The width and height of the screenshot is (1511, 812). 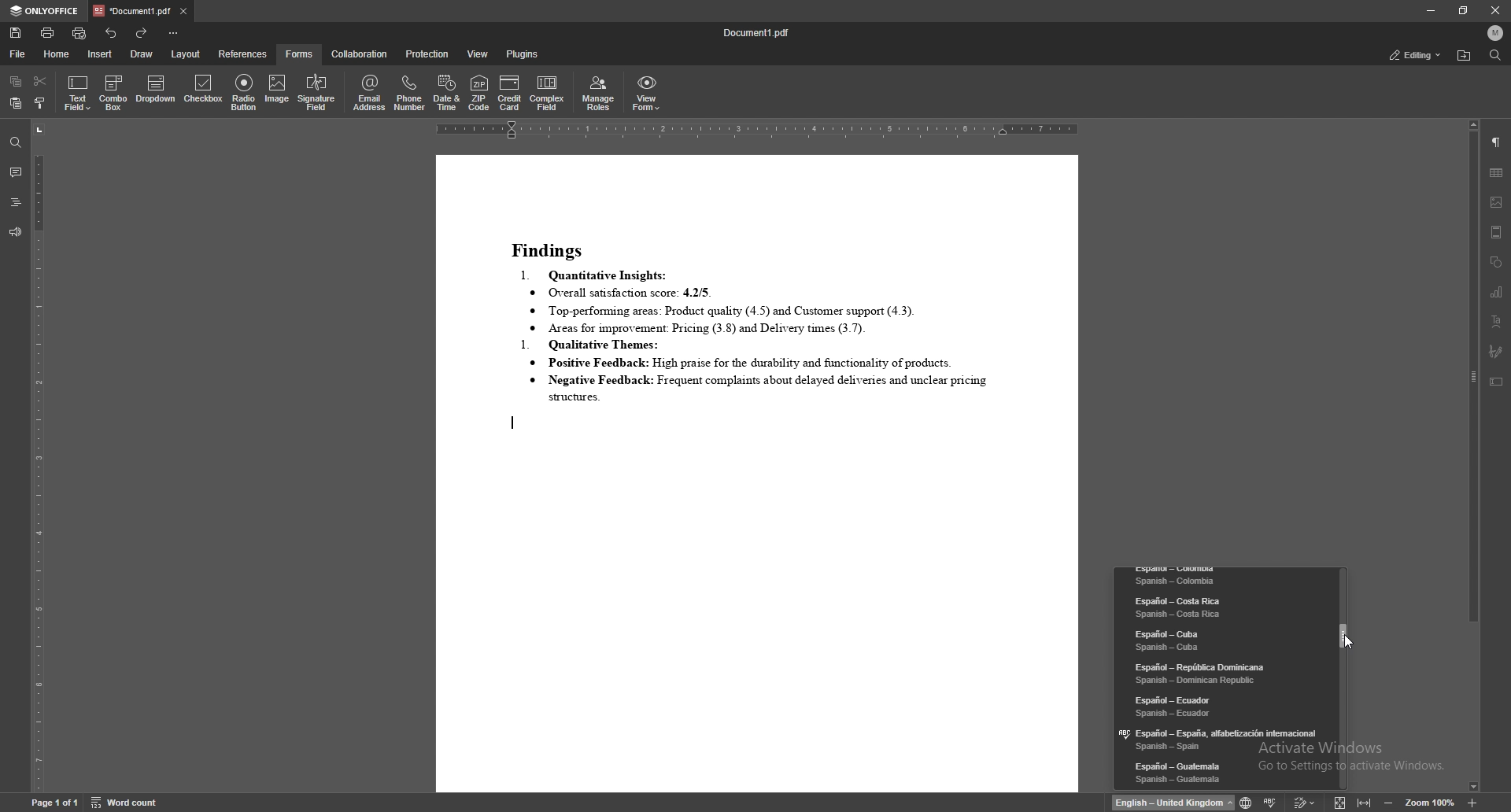 What do you see at coordinates (1497, 232) in the screenshot?
I see `header and footer` at bounding box center [1497, 232].